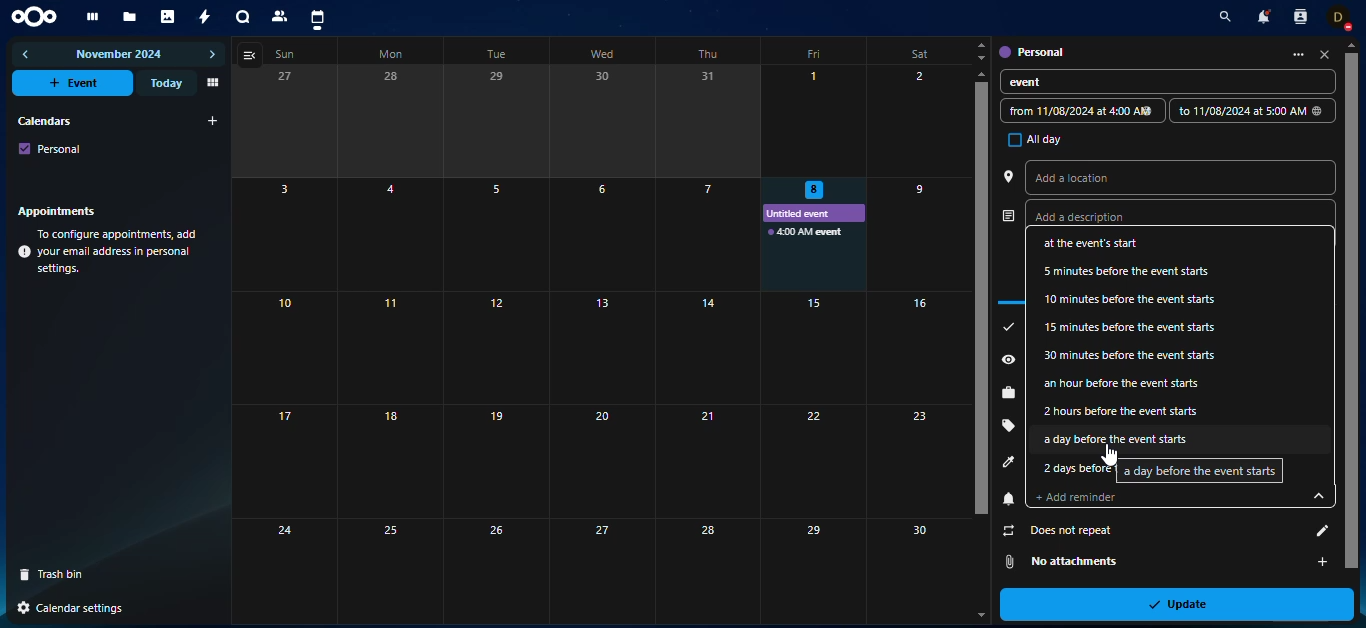 This screenshot has width=1366, height=628. Describe the element at coordinates (394, 53) in the screenshot. I see `mon` at that location.